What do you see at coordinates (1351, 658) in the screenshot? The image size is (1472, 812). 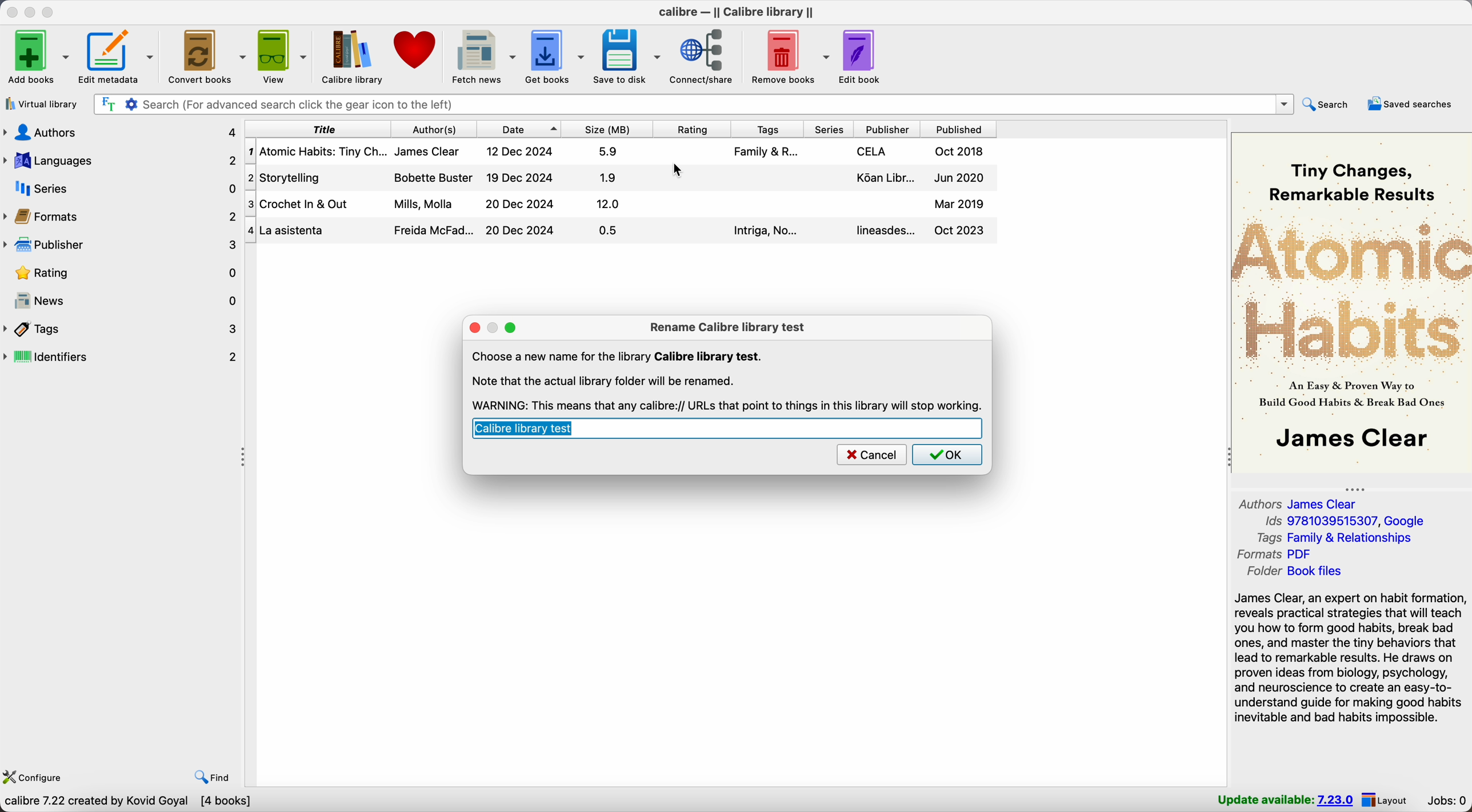 I see `James Clear, an expert on habit formation, reveals practical strategies that will teach you how to form good habits, break bad ones, and master the tiny behaviors...` at bounding box center [1351, 658].